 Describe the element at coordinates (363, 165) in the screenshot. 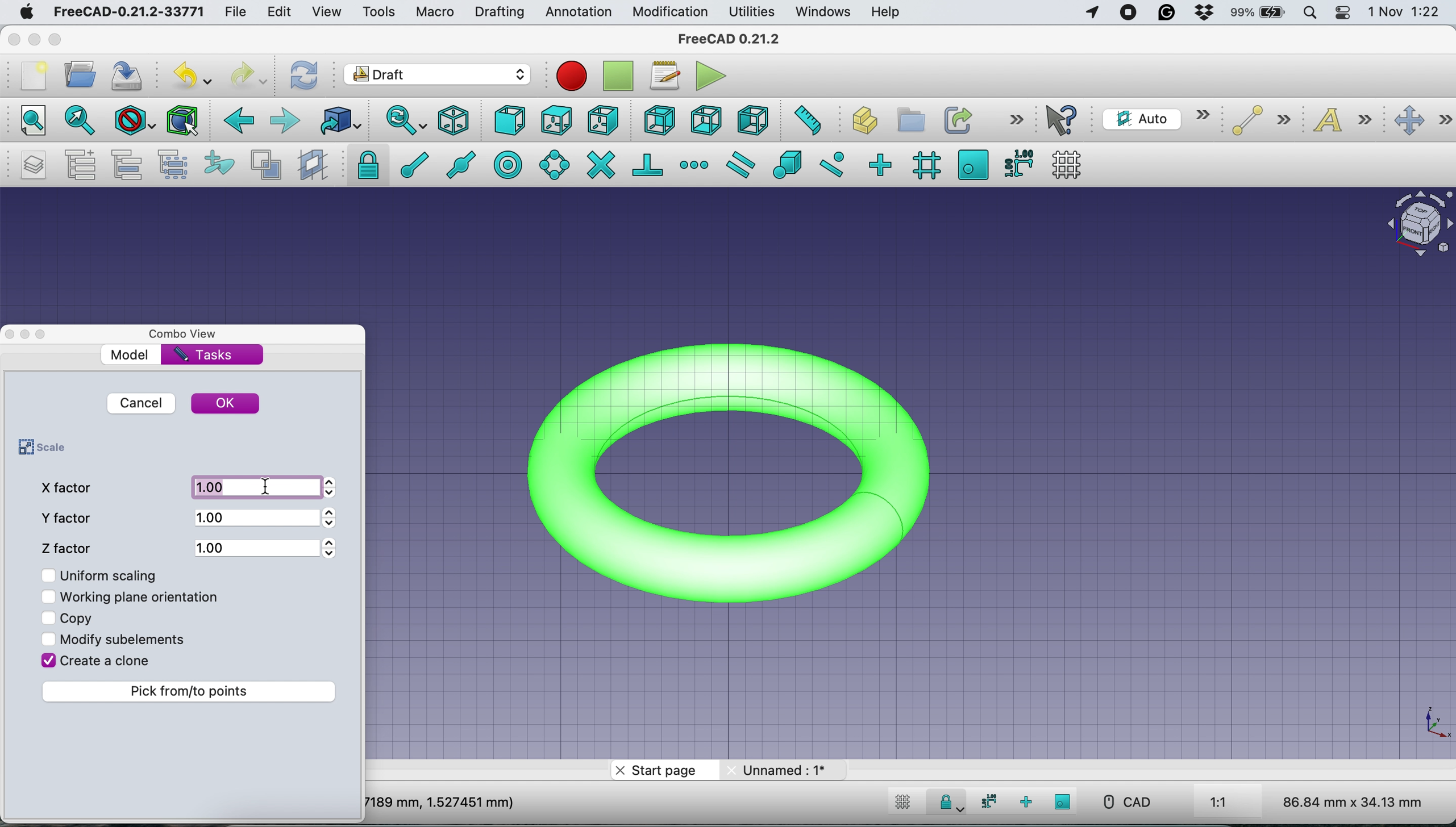

I see `snap lock` at that location.